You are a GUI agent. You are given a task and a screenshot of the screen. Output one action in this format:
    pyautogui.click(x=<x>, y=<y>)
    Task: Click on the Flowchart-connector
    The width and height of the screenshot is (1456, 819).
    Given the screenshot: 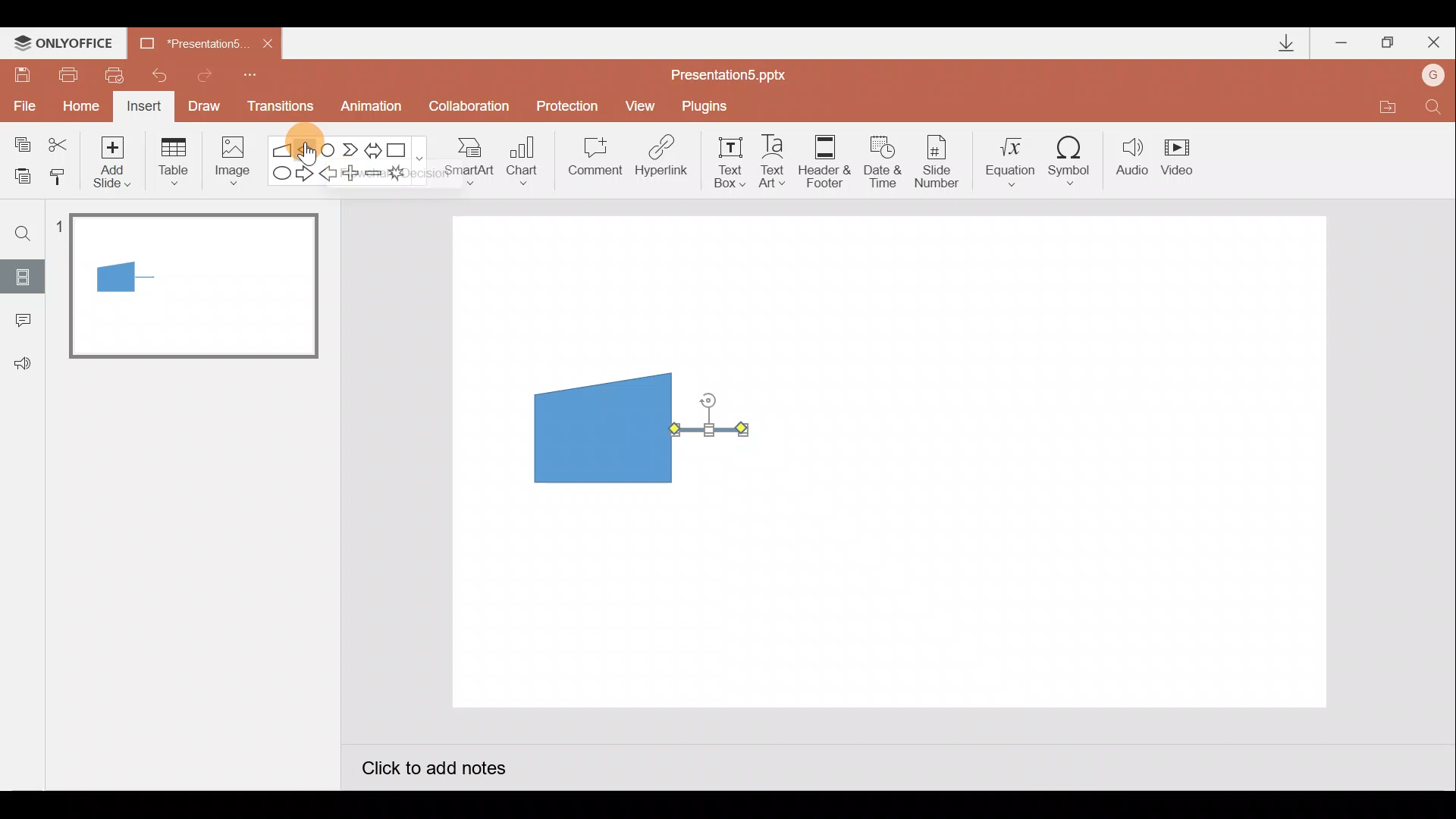 What is the action you would take?
    pyautogui.click(x=329, y=149)
    